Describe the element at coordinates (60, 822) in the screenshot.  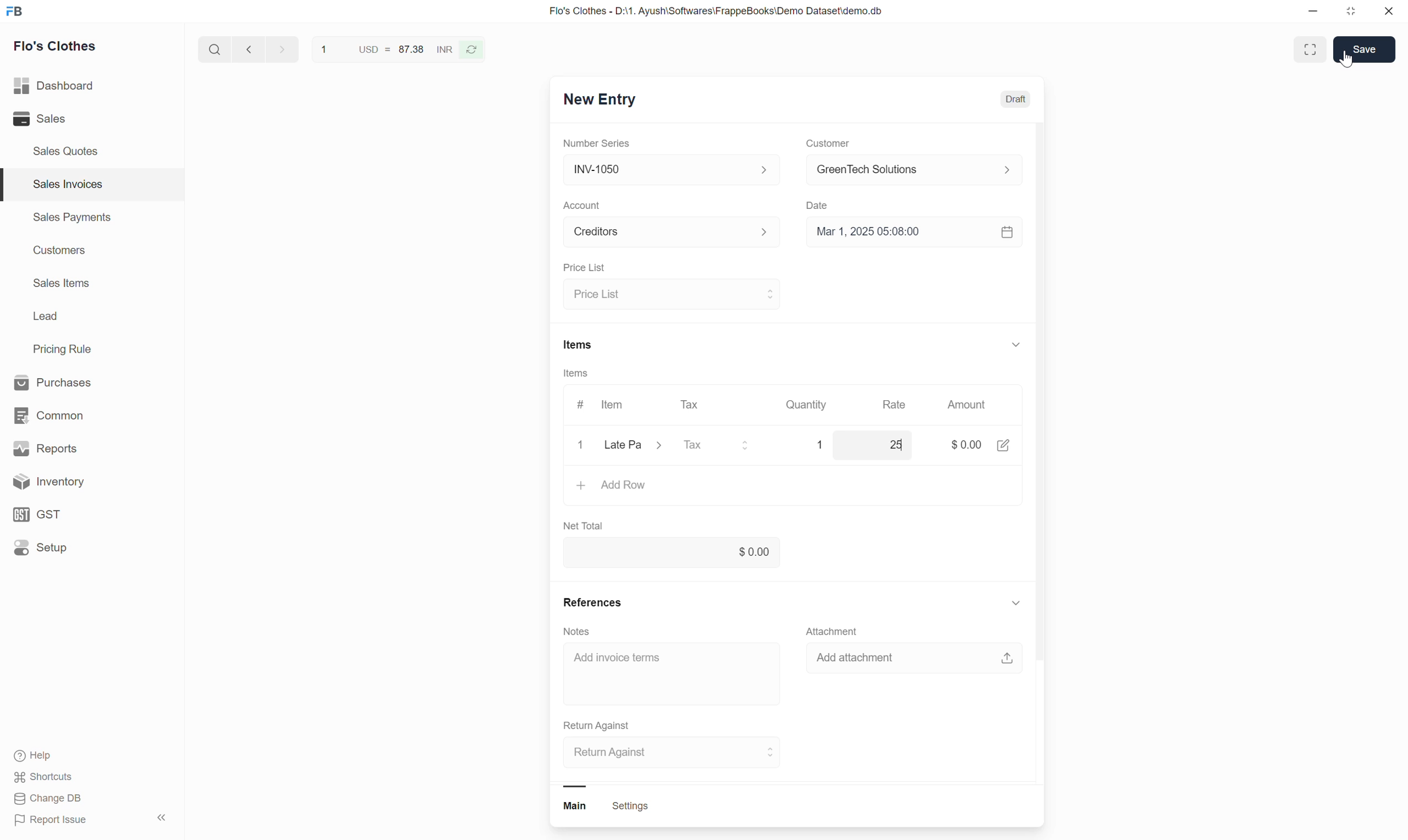
I see `Report Issue ` at that location.